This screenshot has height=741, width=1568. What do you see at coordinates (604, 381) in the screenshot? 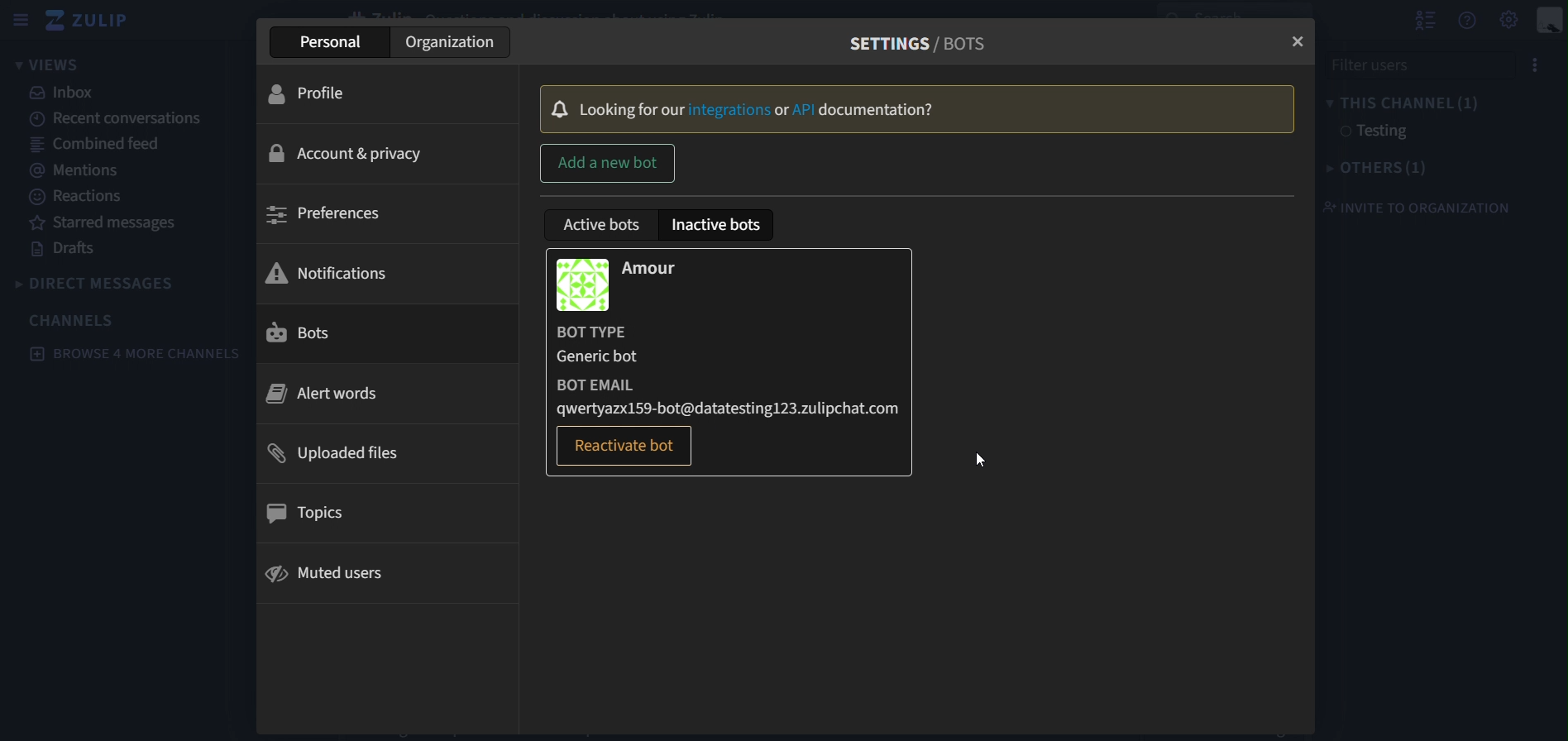
I see `BOT EMAIL` at bounding box center [604, 381].